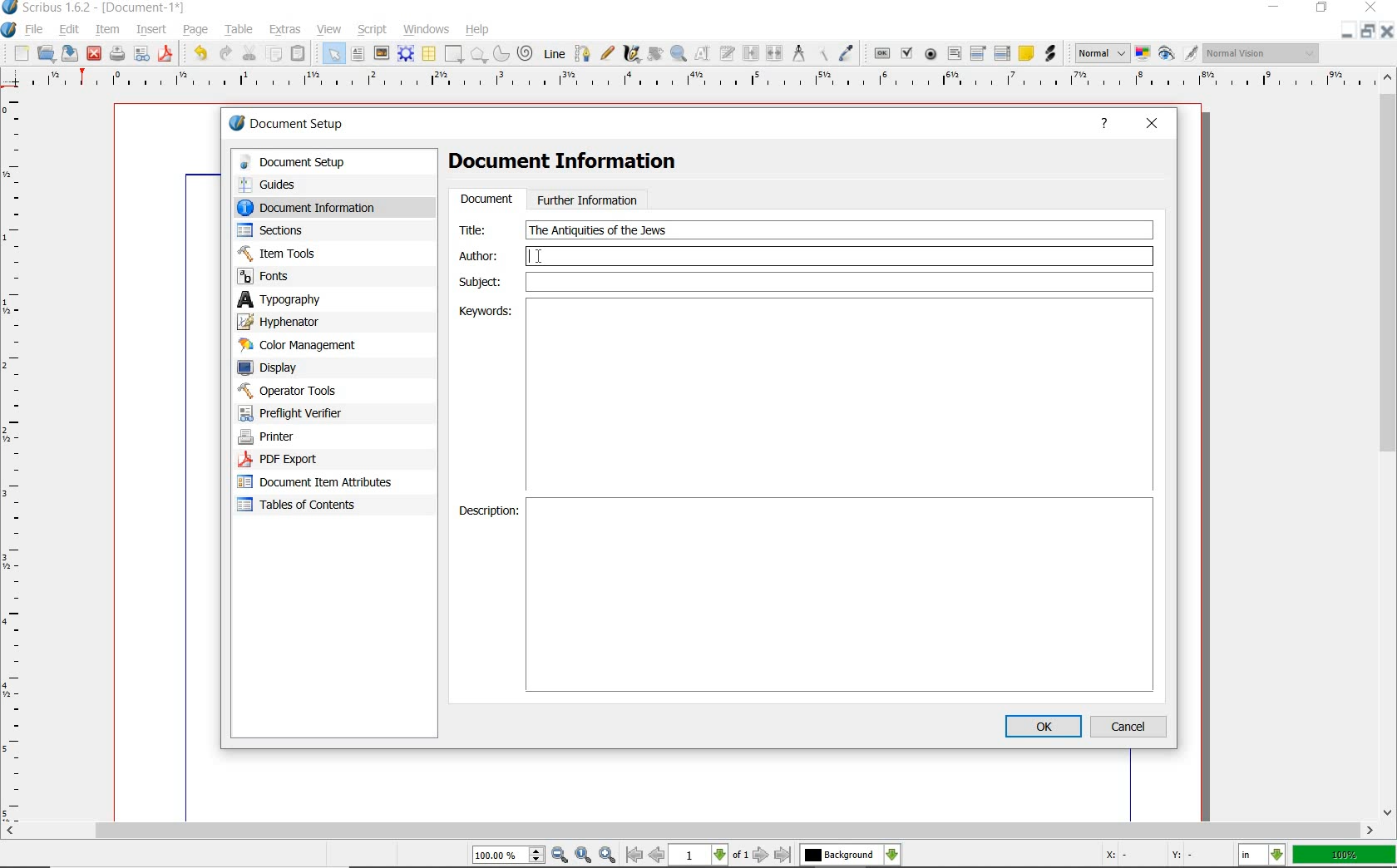 The height and width of the screenshot is (868, 1397). What do you see at coordinates (308, 459) in the screenshot?
I see `PDF Export` at bounding box center [308, 459].